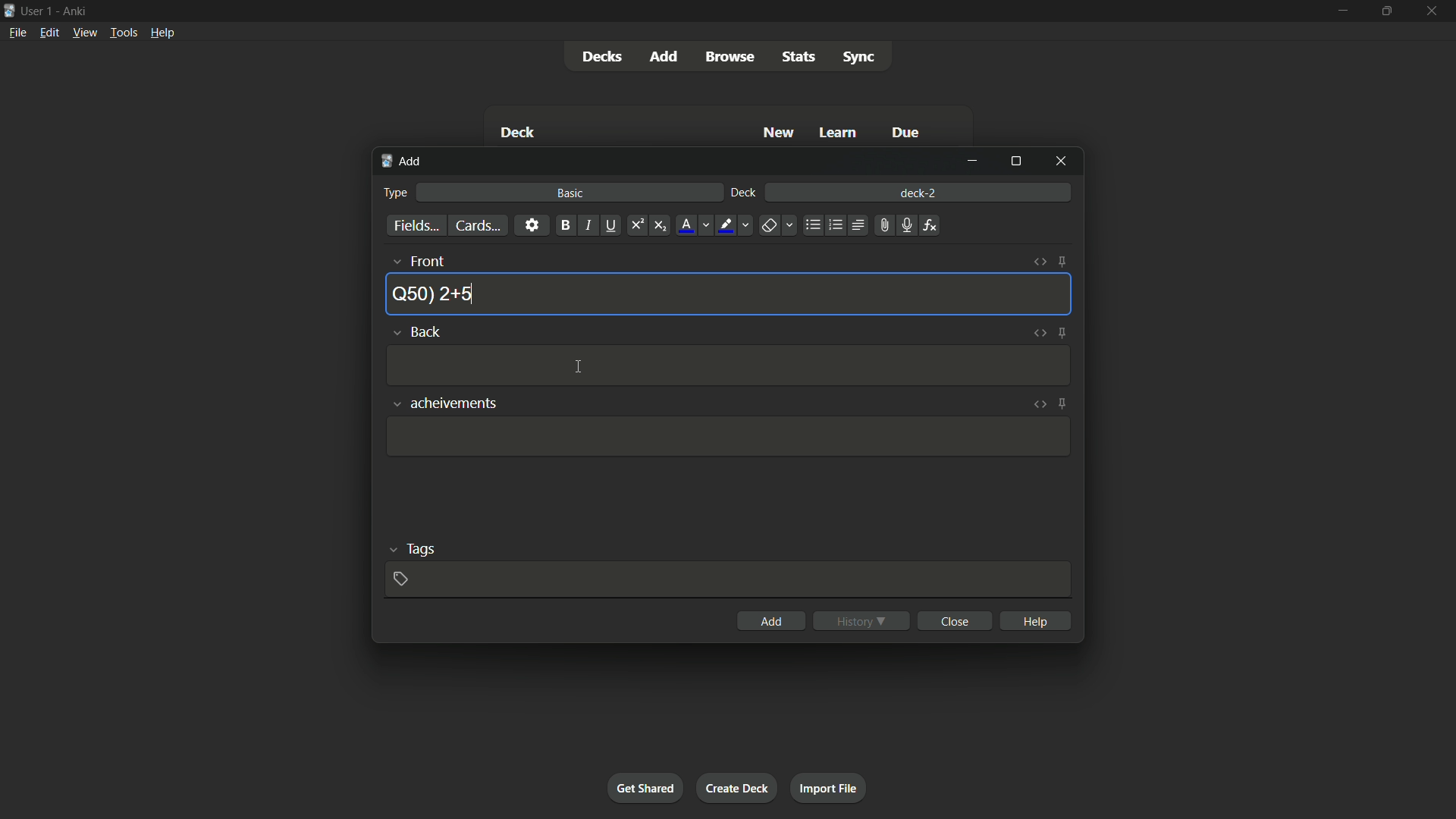 This screenshot has height=819, width=1456. Describe the element at coordinates (1034, 620) in the screenshot. I see `help` at that location.